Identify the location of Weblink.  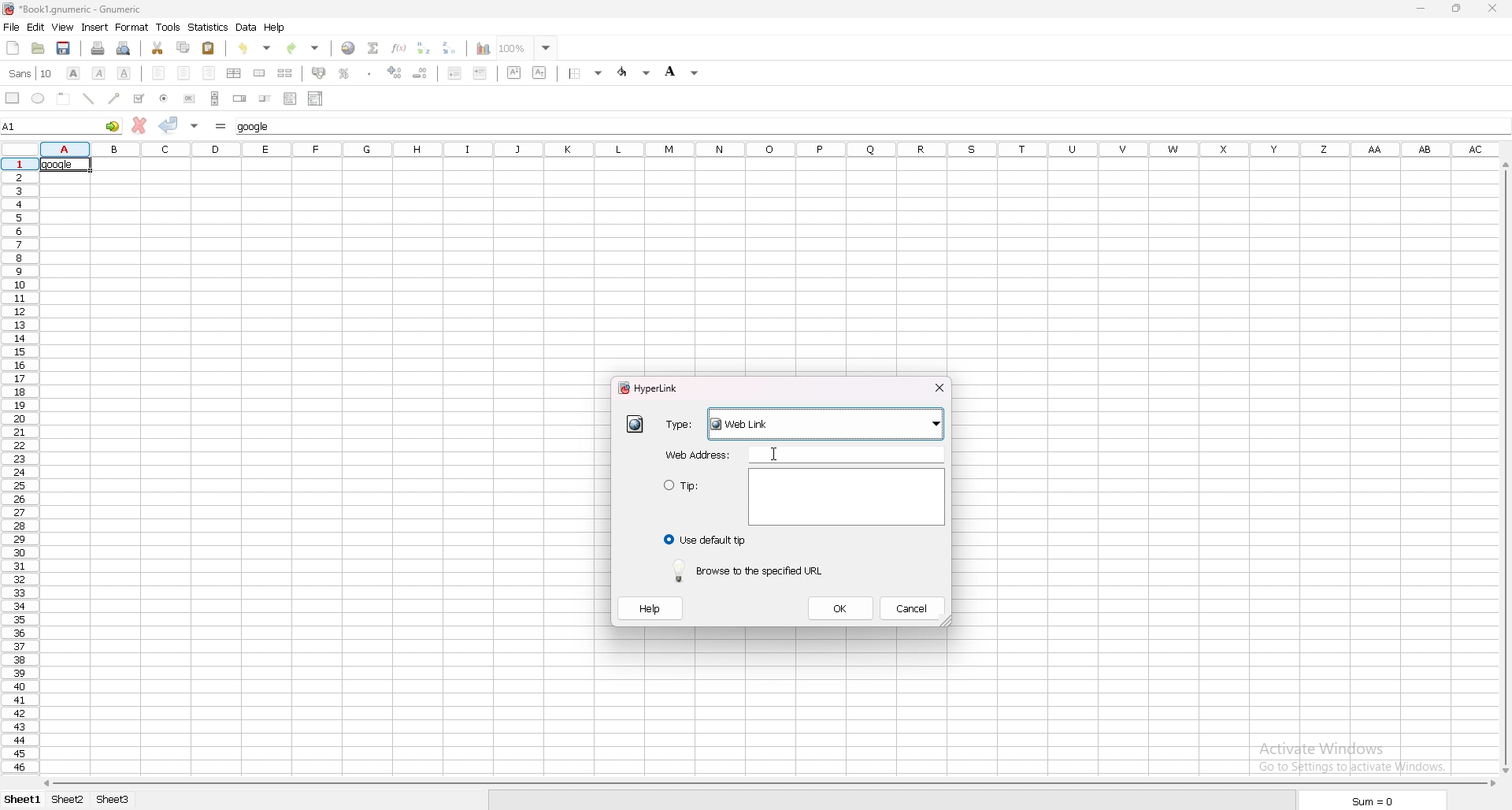
(822, 422).